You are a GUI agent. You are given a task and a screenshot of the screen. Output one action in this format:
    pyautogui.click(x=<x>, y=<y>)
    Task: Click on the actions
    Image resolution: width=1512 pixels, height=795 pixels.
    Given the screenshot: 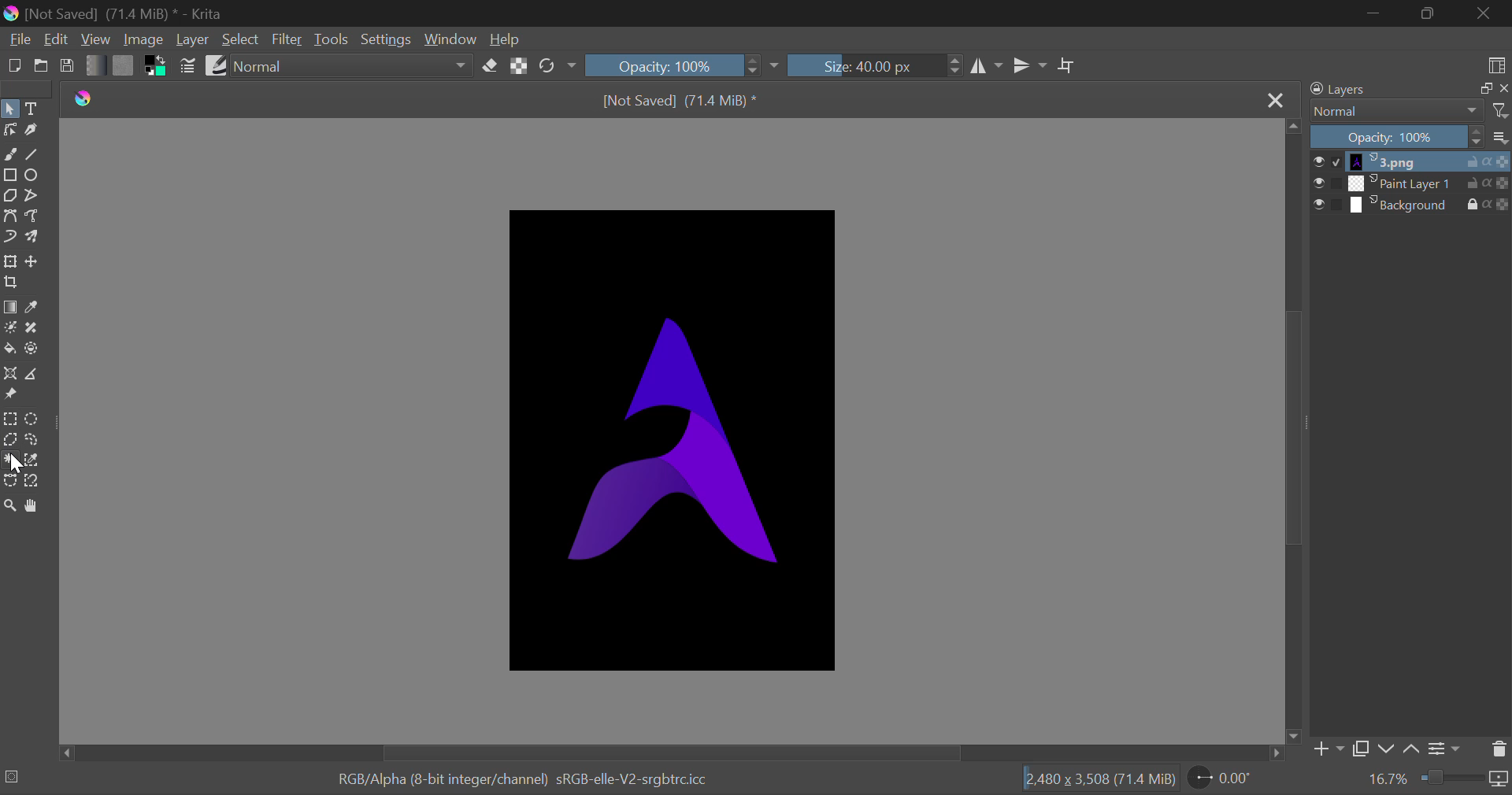 What is the action you would take?
    pyautogui.click(x=1488, y=162)
    